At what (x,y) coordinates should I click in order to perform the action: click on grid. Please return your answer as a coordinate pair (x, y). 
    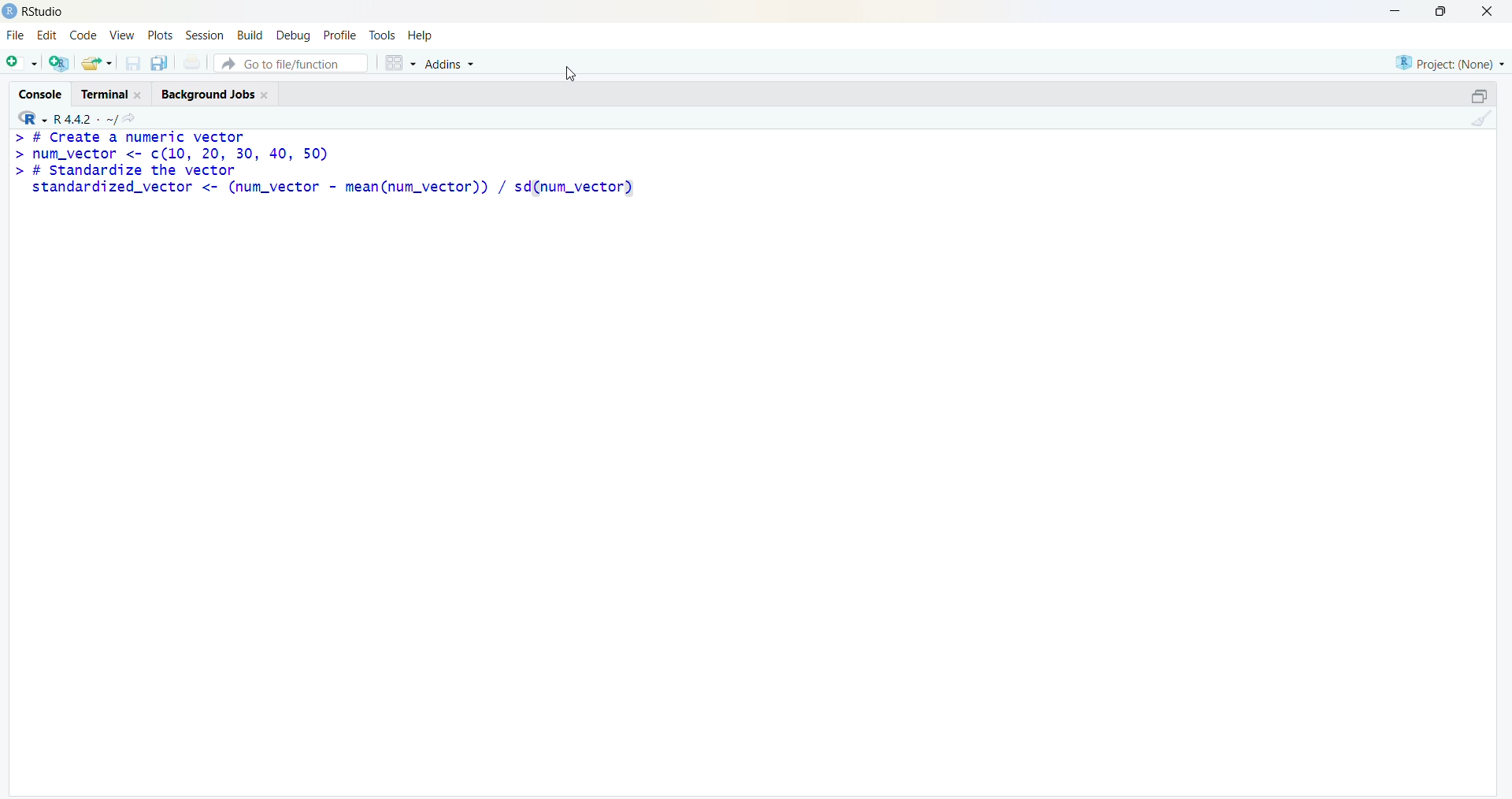
    Looking at the image, I should click on (399, 63).